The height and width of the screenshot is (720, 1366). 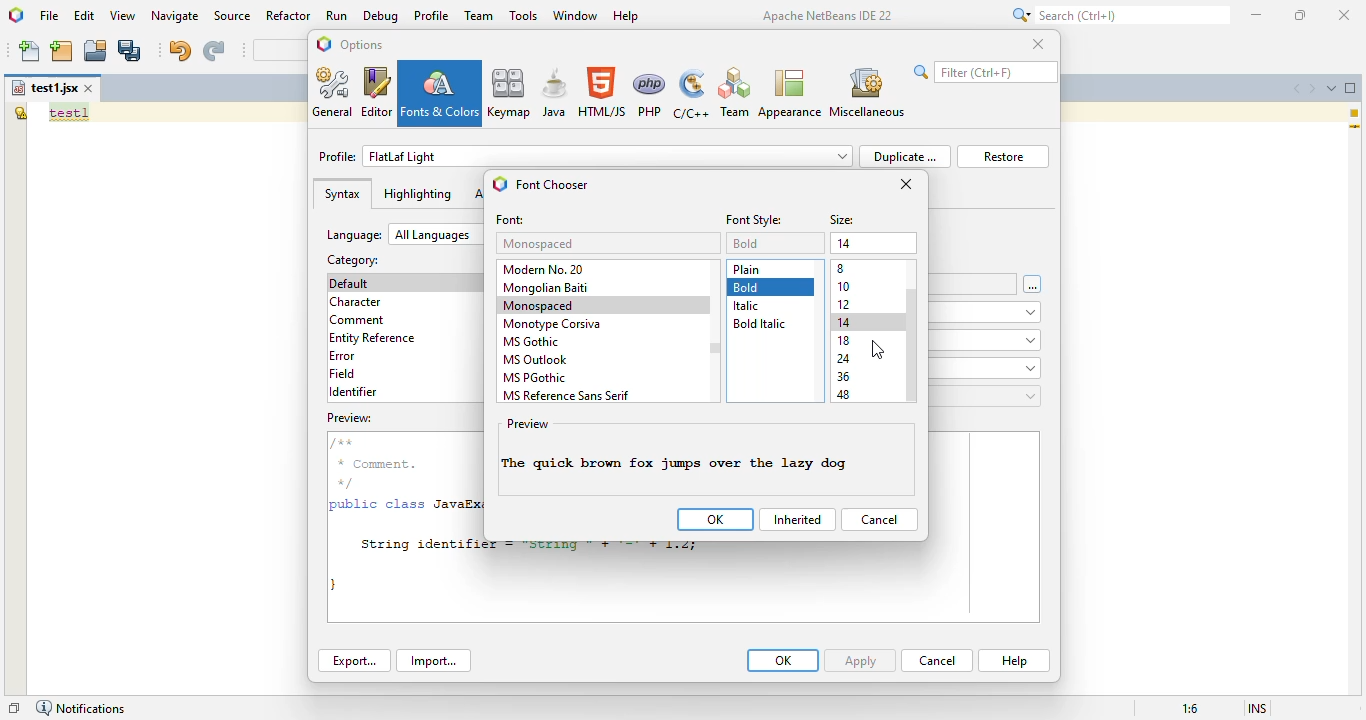 I want to click on 14, so click(x=845, y=243).